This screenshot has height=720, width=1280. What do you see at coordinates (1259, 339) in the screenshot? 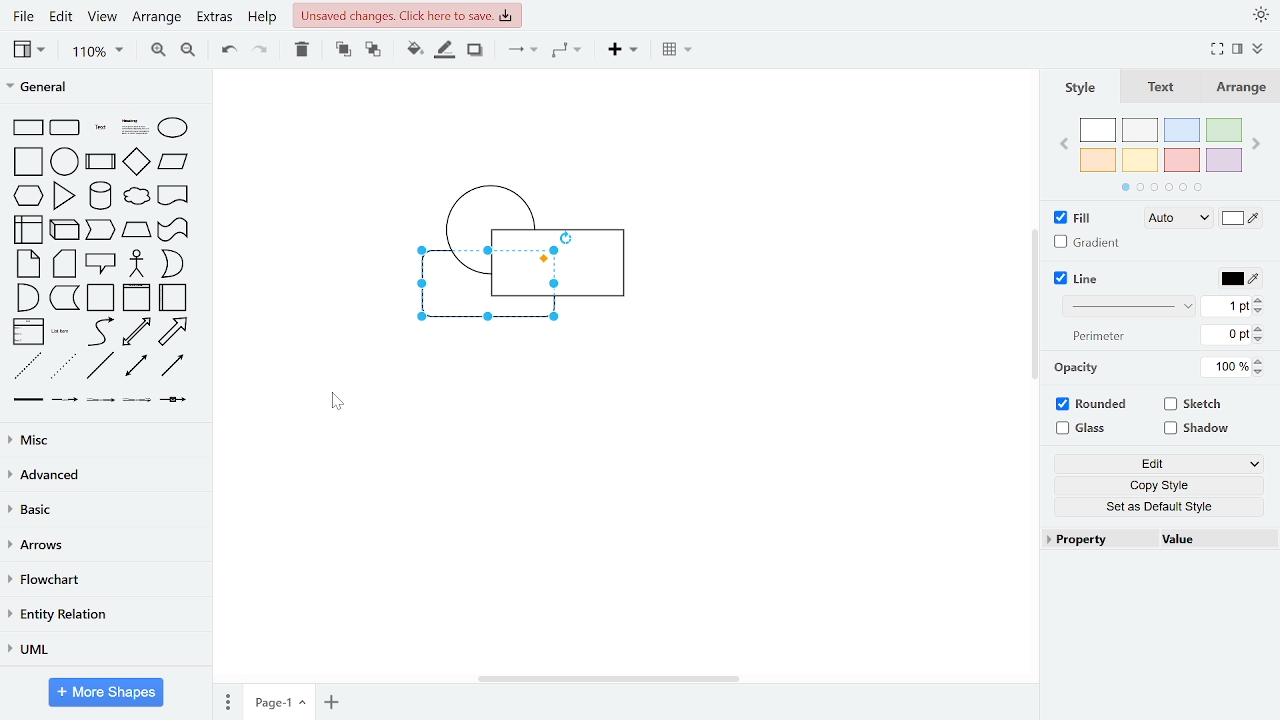
I see `decrease perimeter` at bounding box center [1259, 339].